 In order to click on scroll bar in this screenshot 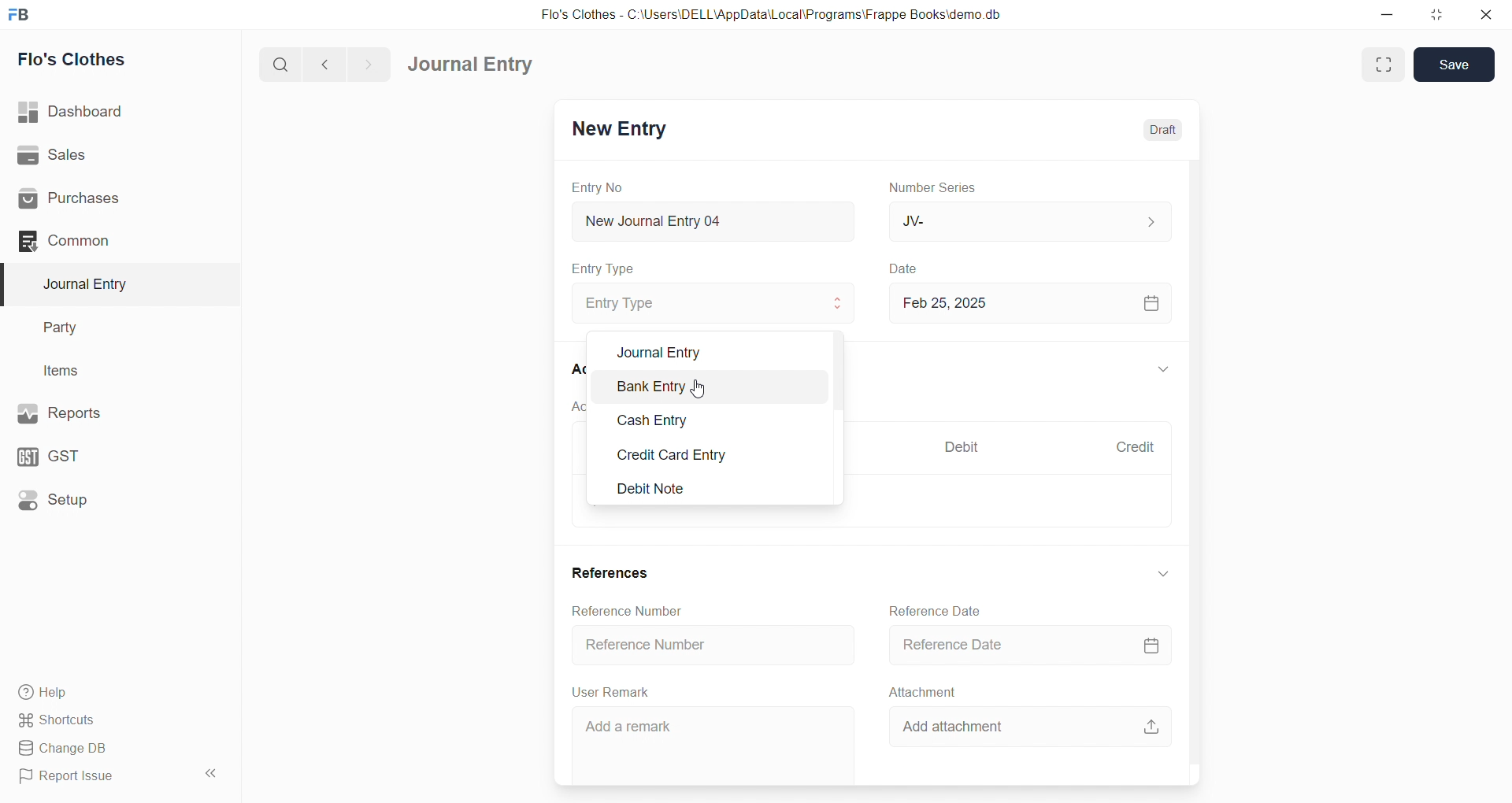, I will do `click(840, 417)`.